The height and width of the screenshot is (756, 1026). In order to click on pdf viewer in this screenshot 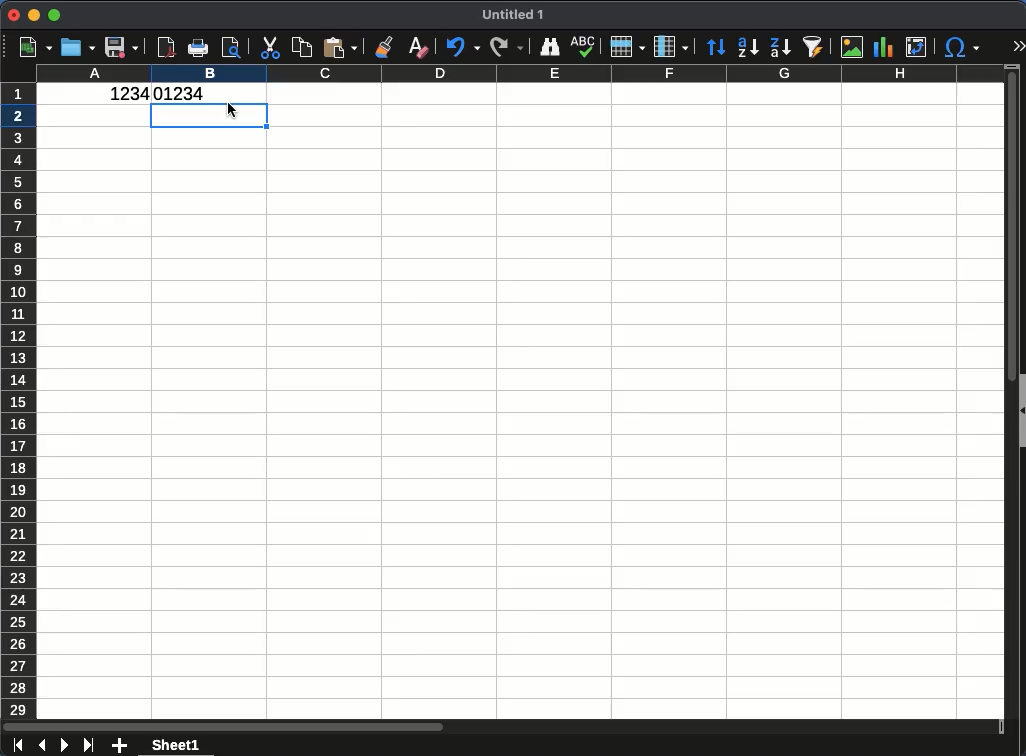, I will do `click(167, 45)`.